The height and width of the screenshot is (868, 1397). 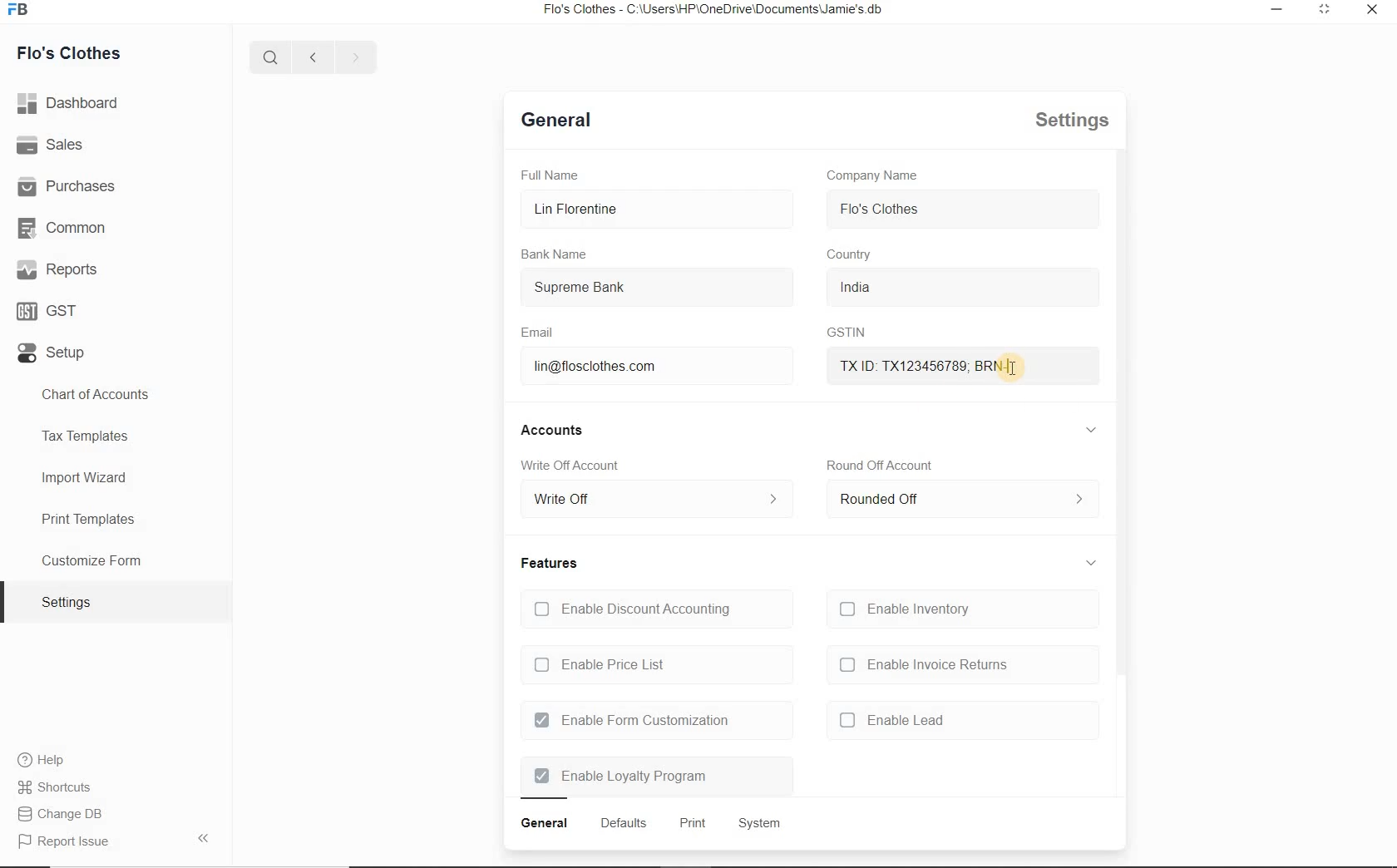 What do you see at coordinates (555, 175) in the screenshot?
I see `Full Name` at bounding box center [555, 175].